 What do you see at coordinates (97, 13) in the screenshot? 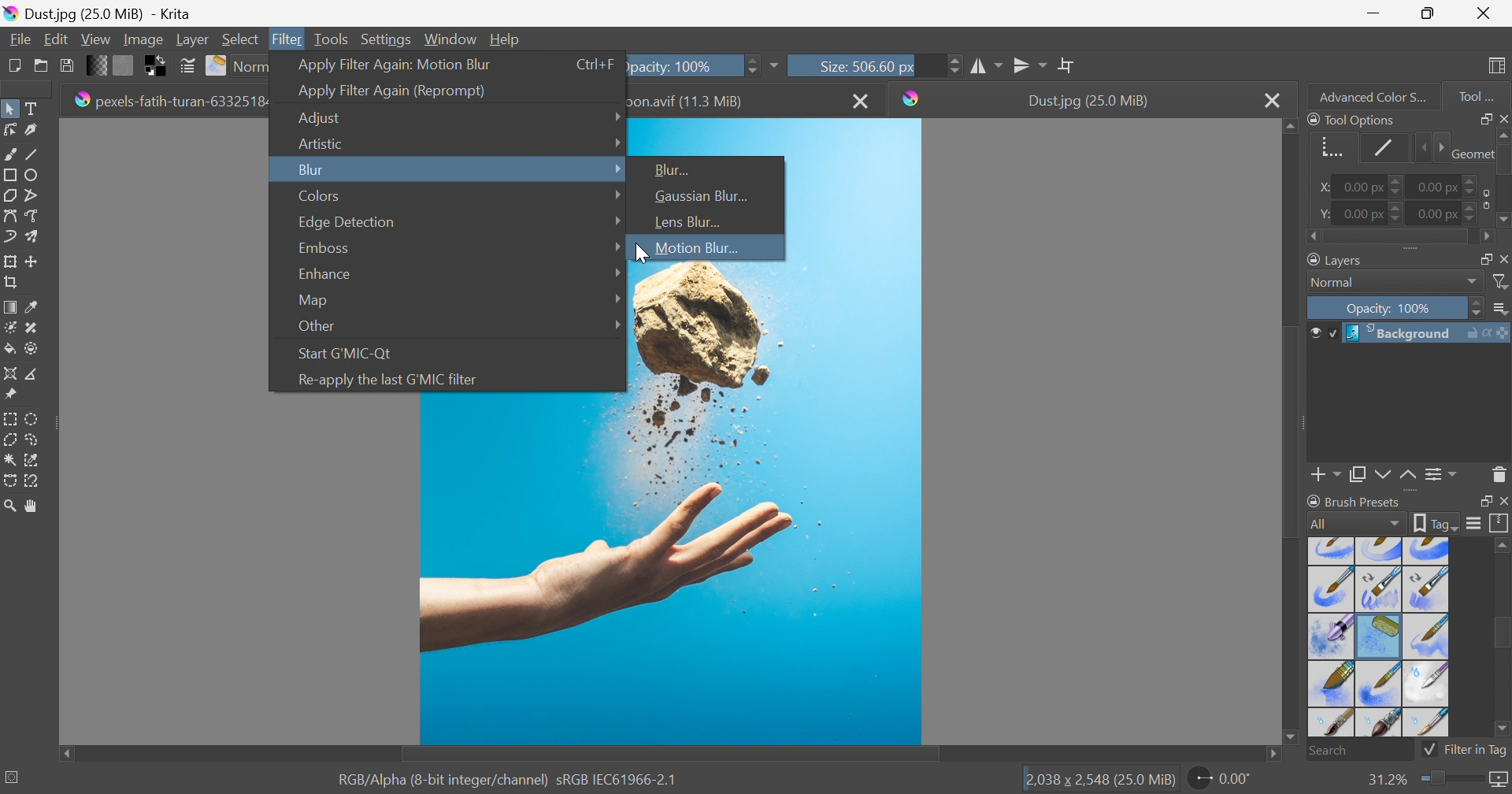
I see `Dust.jpg (25.0 MB)` at bounding box center [97, 13].